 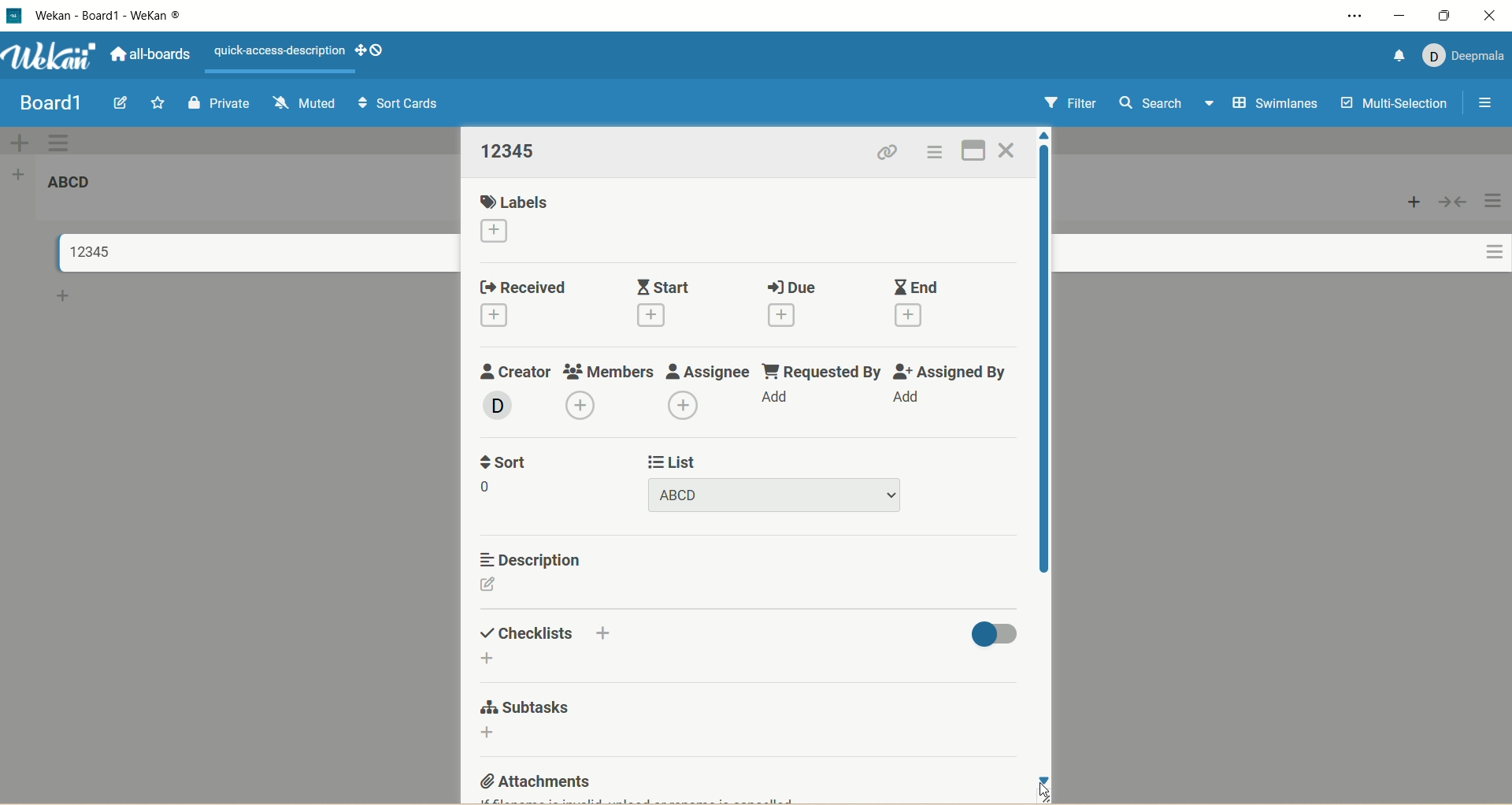 I want to click on logo, so click(x=13, y=17).